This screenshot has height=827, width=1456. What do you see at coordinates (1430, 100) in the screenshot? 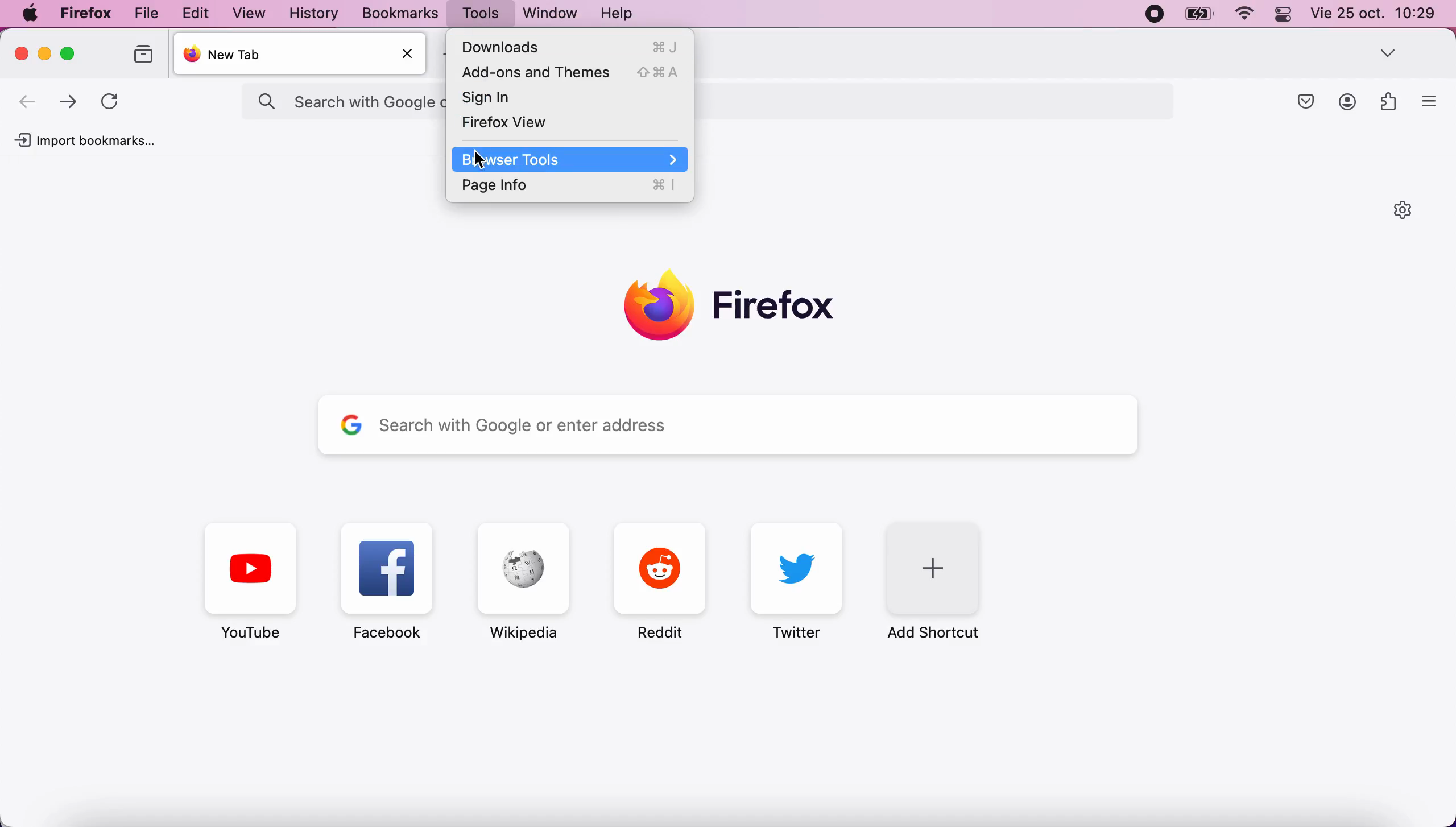
I see `More option` at bounding box center [1430, 100].